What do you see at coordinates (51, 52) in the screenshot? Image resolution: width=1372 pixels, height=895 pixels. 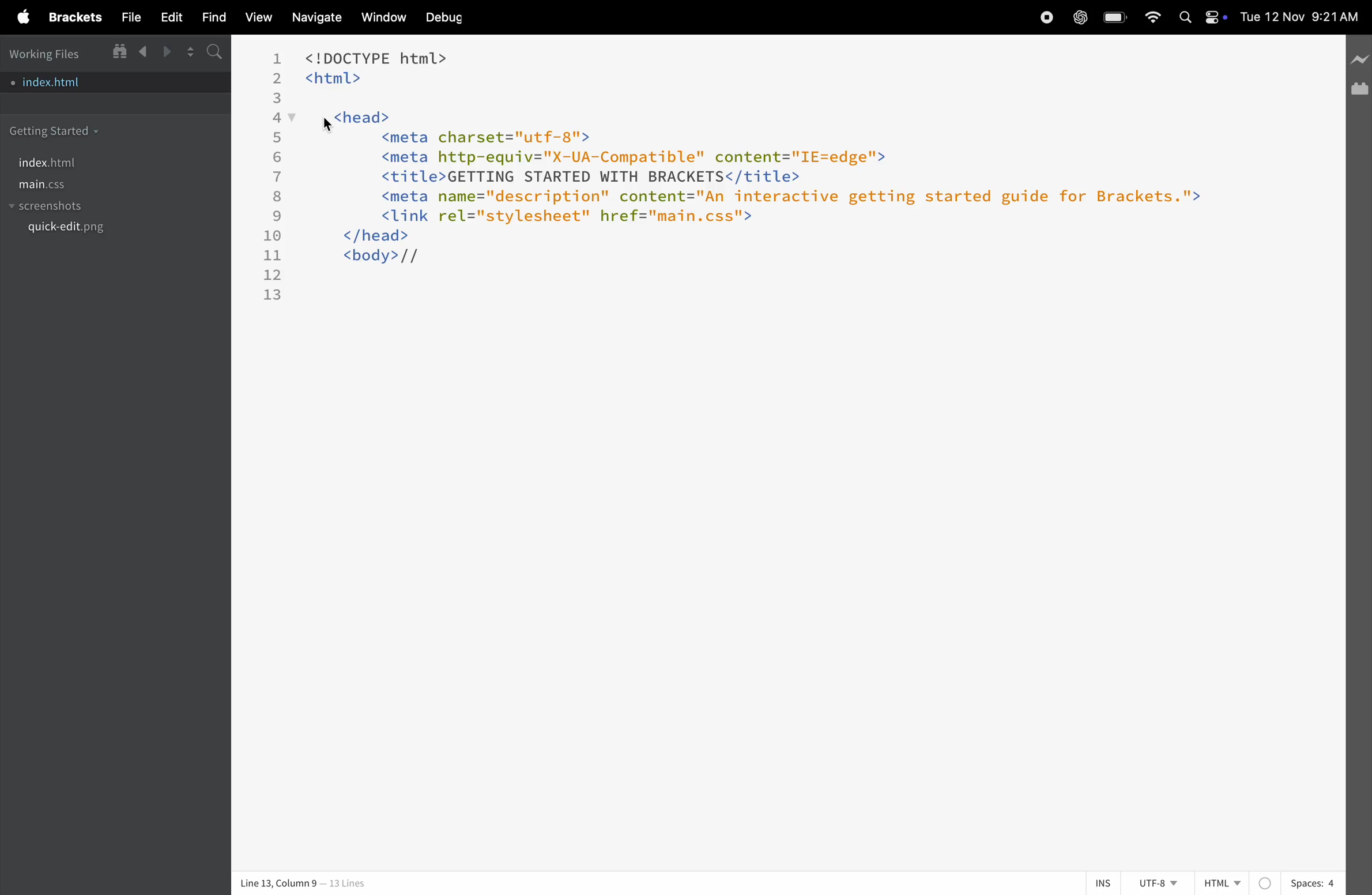 I see `working files` at bounding box center [51, 52].